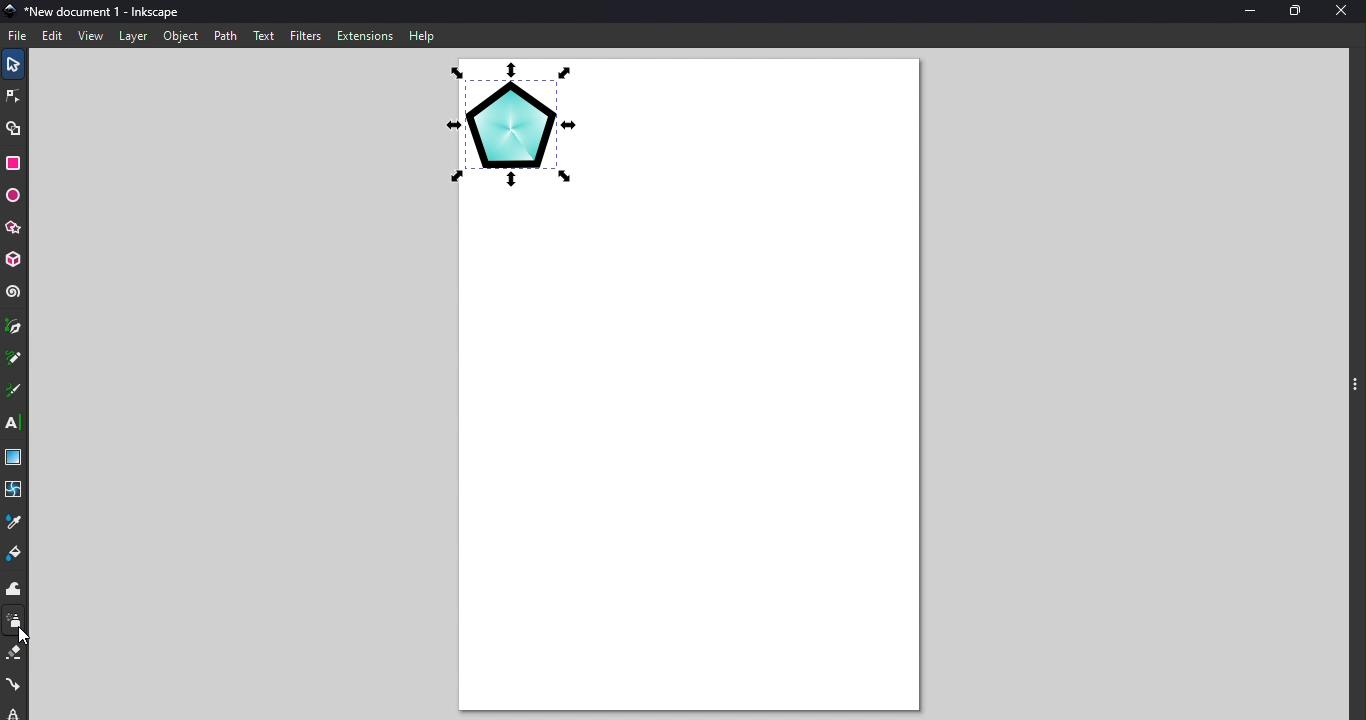 Image resolution: width=1366 pixels, height=720 pixels. Describe the element at coordinates (14, 62) in the screenshot. I see `Selector tool` at that location.